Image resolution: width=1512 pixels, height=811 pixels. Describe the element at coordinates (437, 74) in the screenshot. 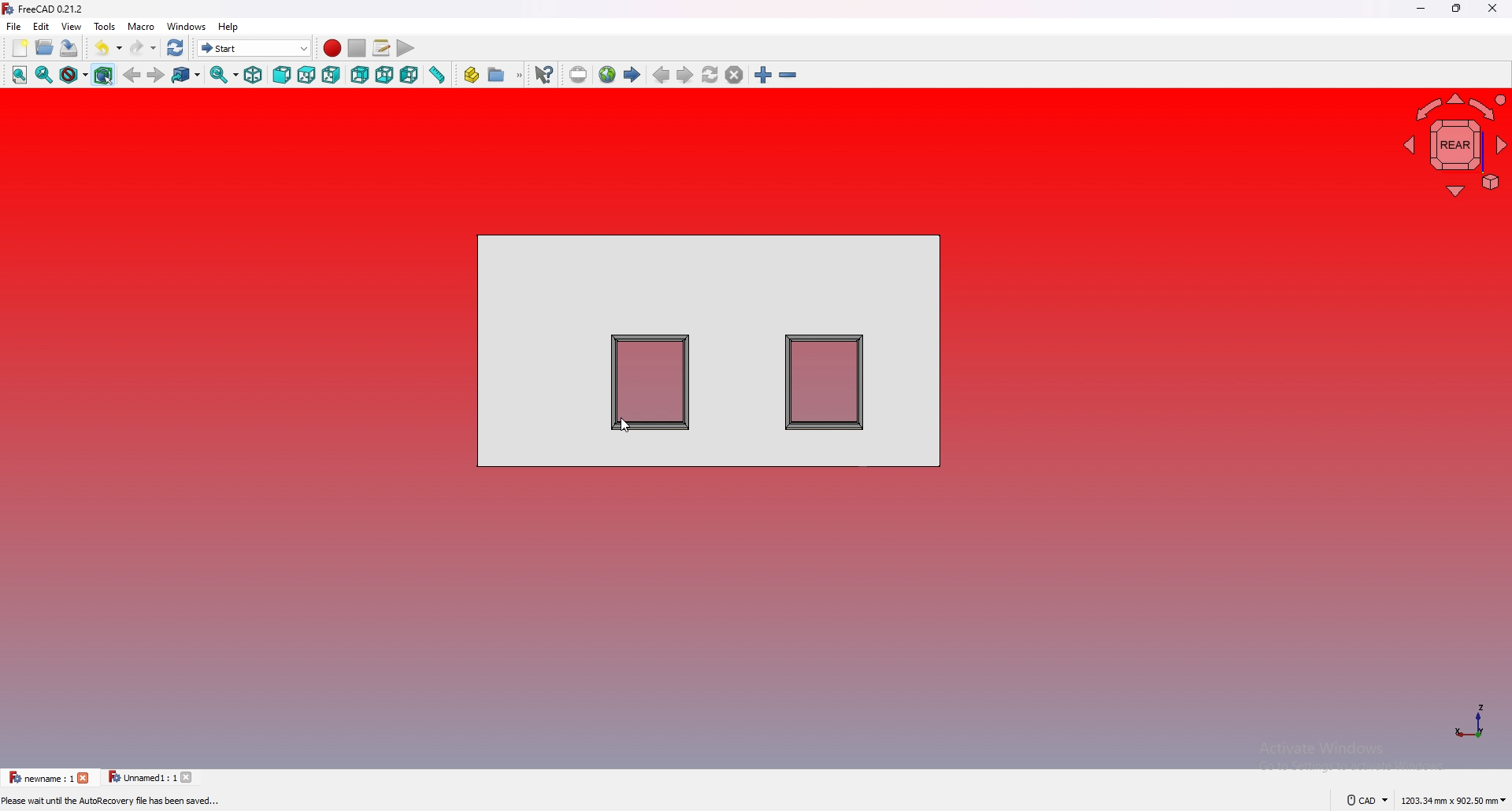

I see `measure distance` at that location.